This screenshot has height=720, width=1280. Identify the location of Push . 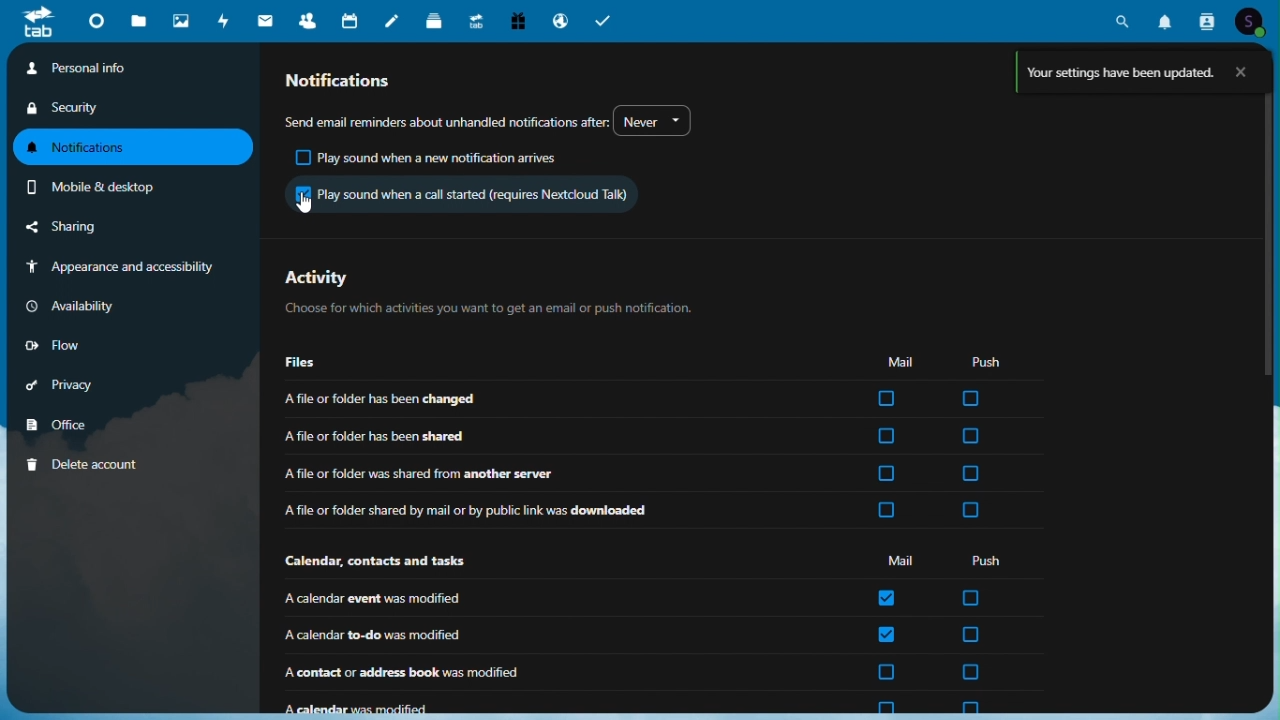
(986, 361).